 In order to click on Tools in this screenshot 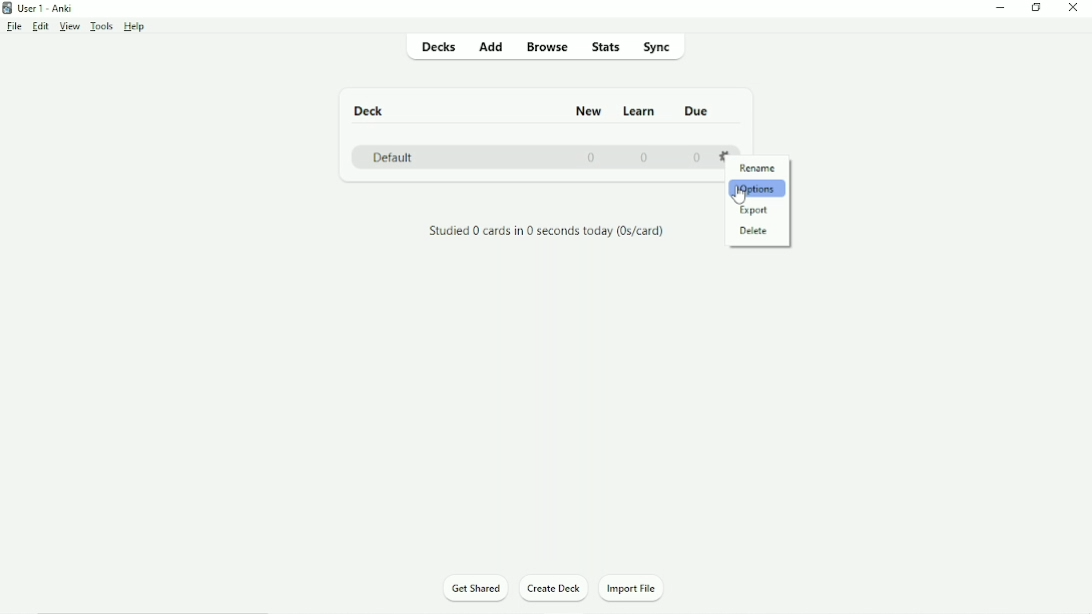, I will do `click(102, 26)`.